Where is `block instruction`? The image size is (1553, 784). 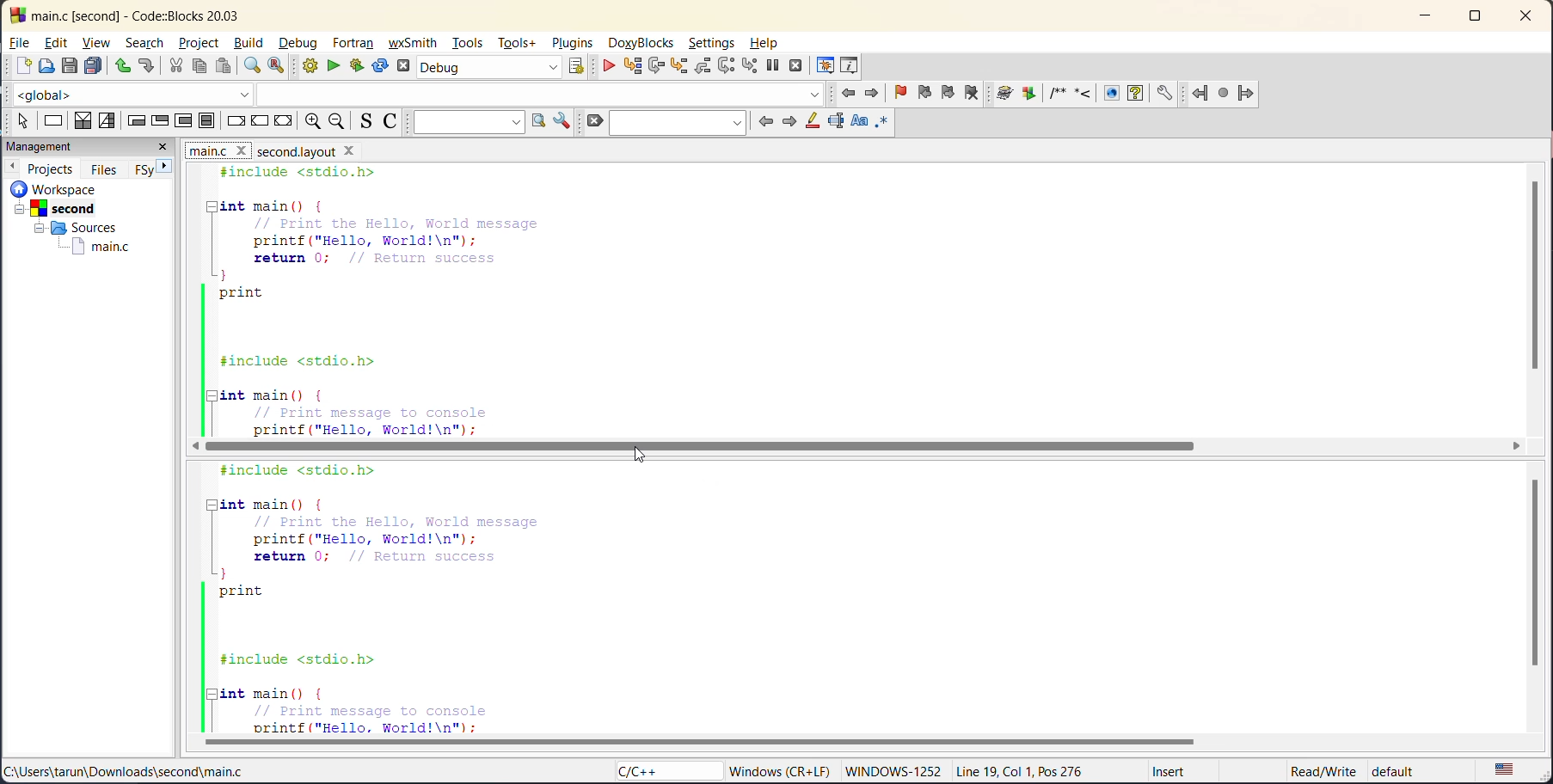 block instruction is located at coordinates (205, 121).